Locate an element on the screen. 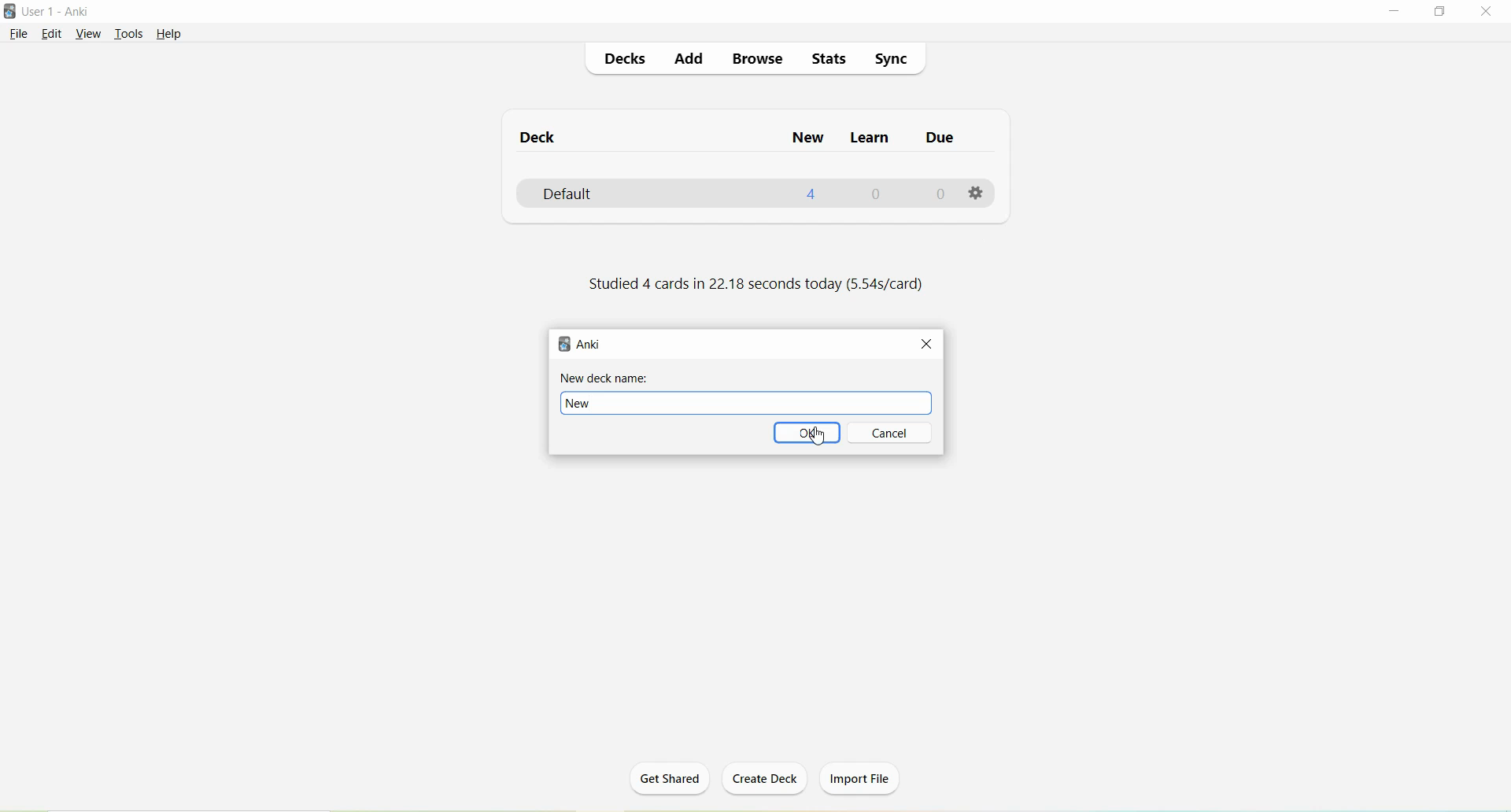 The image size is (1511, 812). Tools is located at coordinates (128, 35).